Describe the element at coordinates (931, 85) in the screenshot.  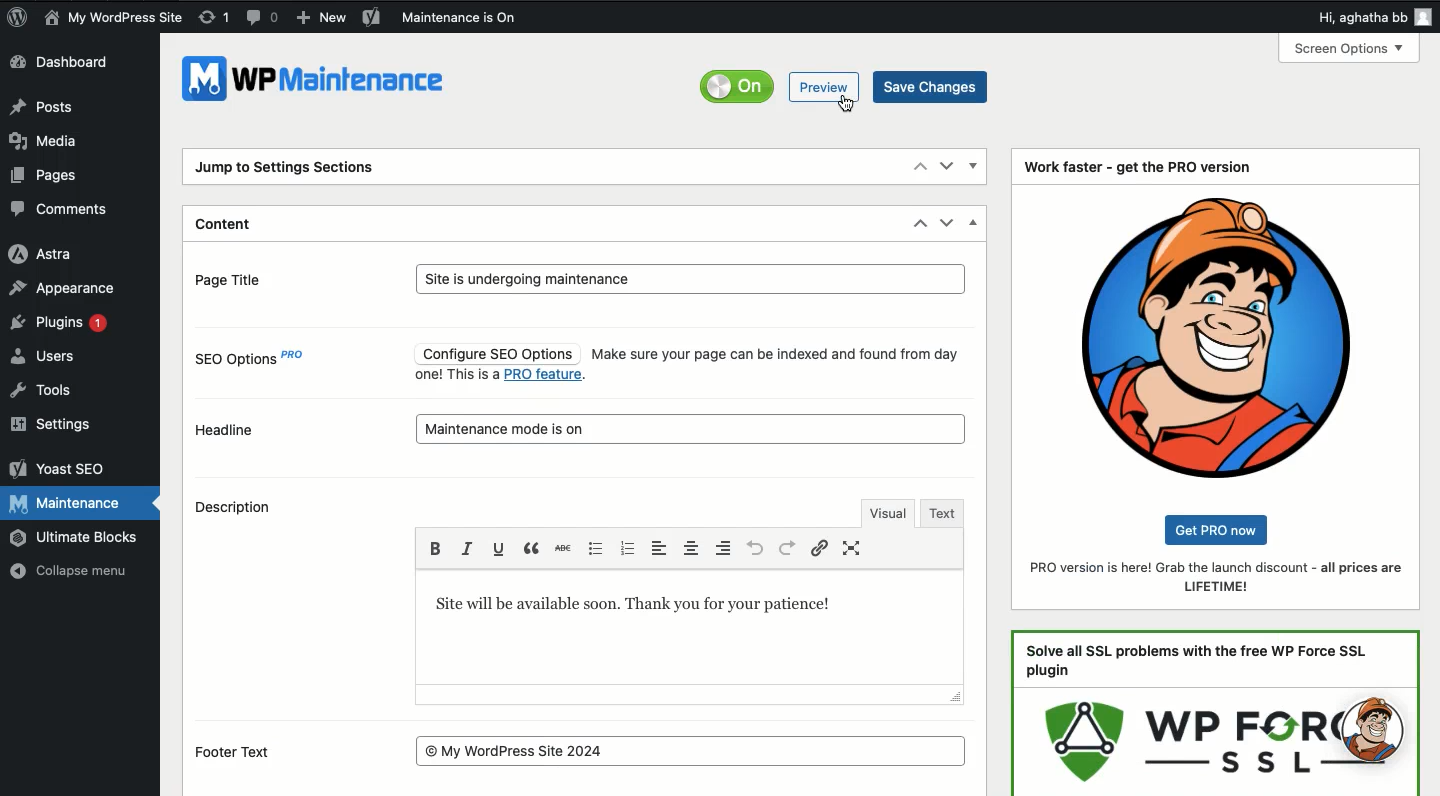
I see `Save changes` at that location.